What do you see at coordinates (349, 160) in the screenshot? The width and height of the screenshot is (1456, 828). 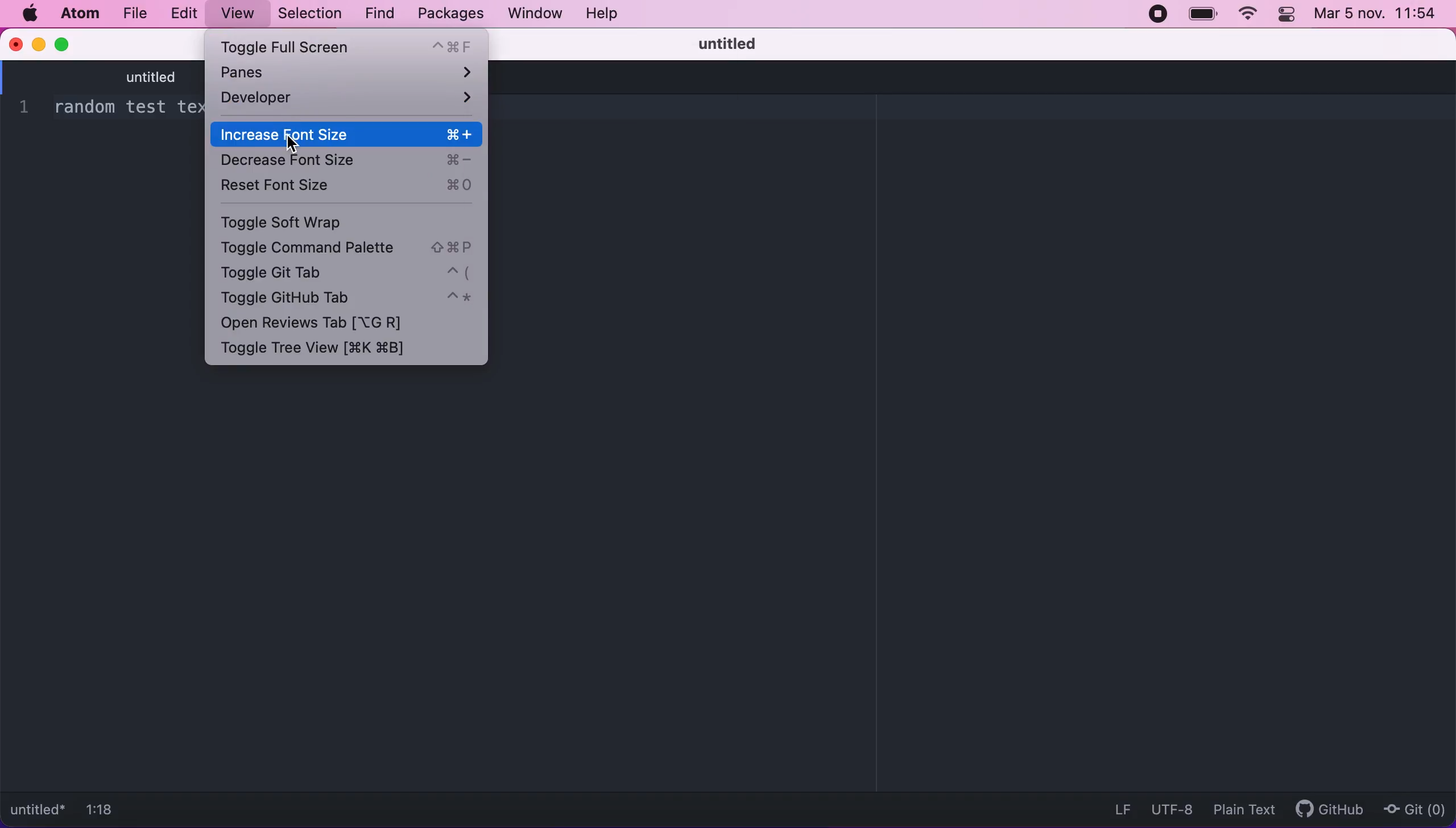 I see `decrease font size` at bounding box center [349, 160].